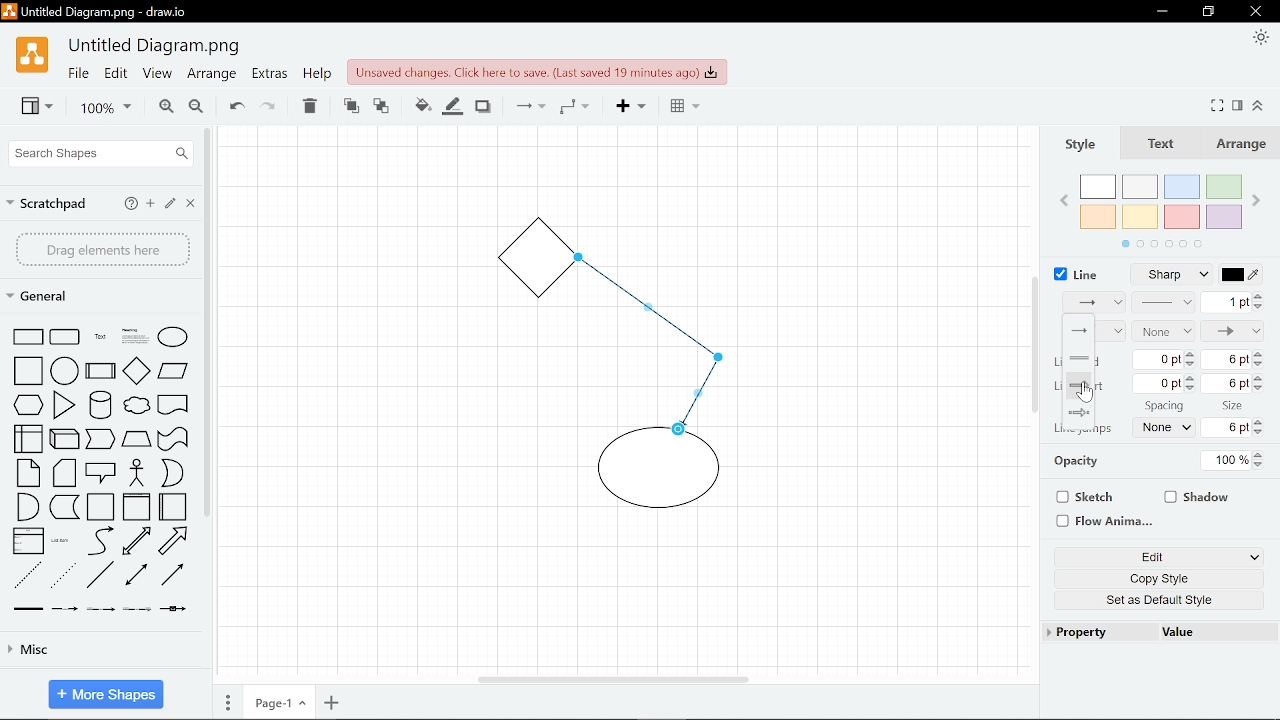 Image resolution: width=1280 pixels, height=720 pixels. I want to click on shape, so click(173, 474).